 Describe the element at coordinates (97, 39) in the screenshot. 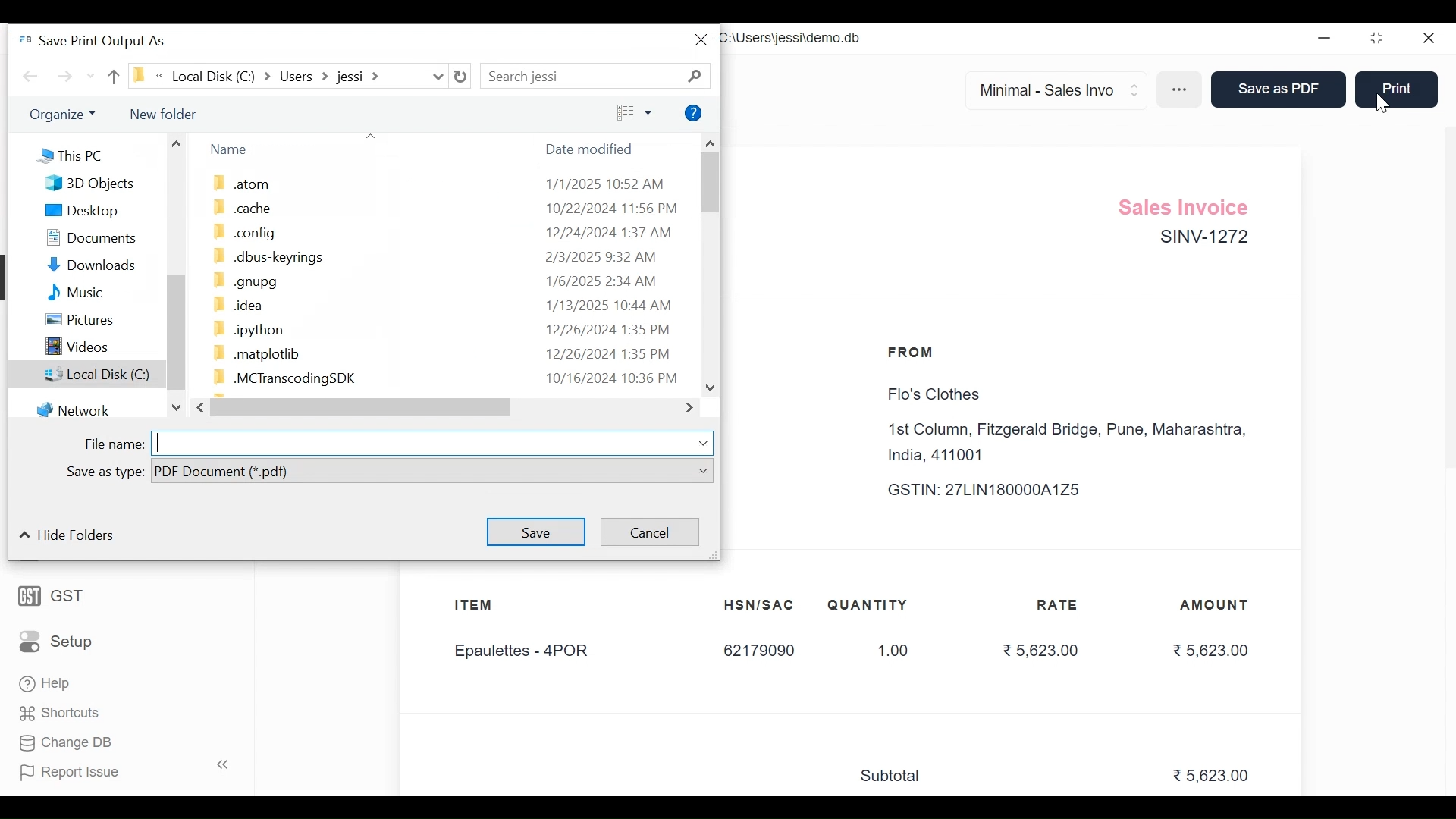

I see `Save Print Output As` at that location.